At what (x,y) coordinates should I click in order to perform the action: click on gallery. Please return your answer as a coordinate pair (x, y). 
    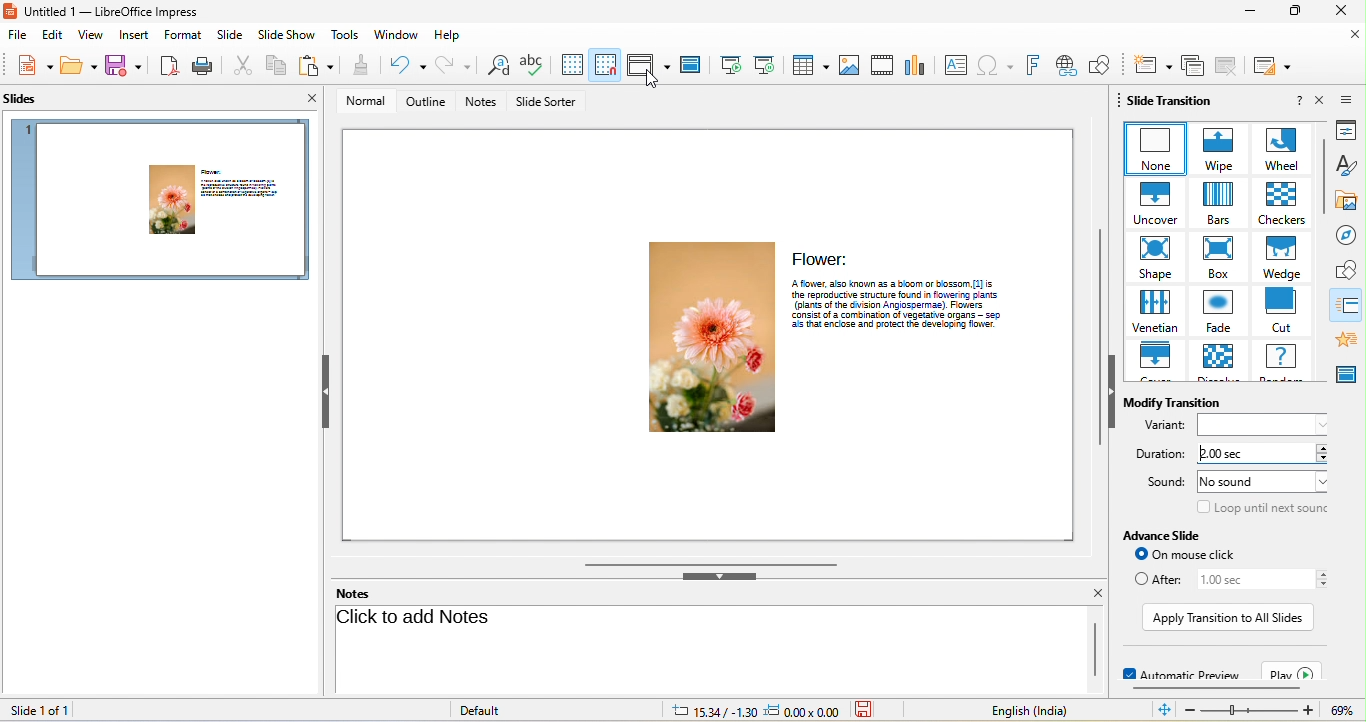
    Looking at the image, I should click on (1351, 199).